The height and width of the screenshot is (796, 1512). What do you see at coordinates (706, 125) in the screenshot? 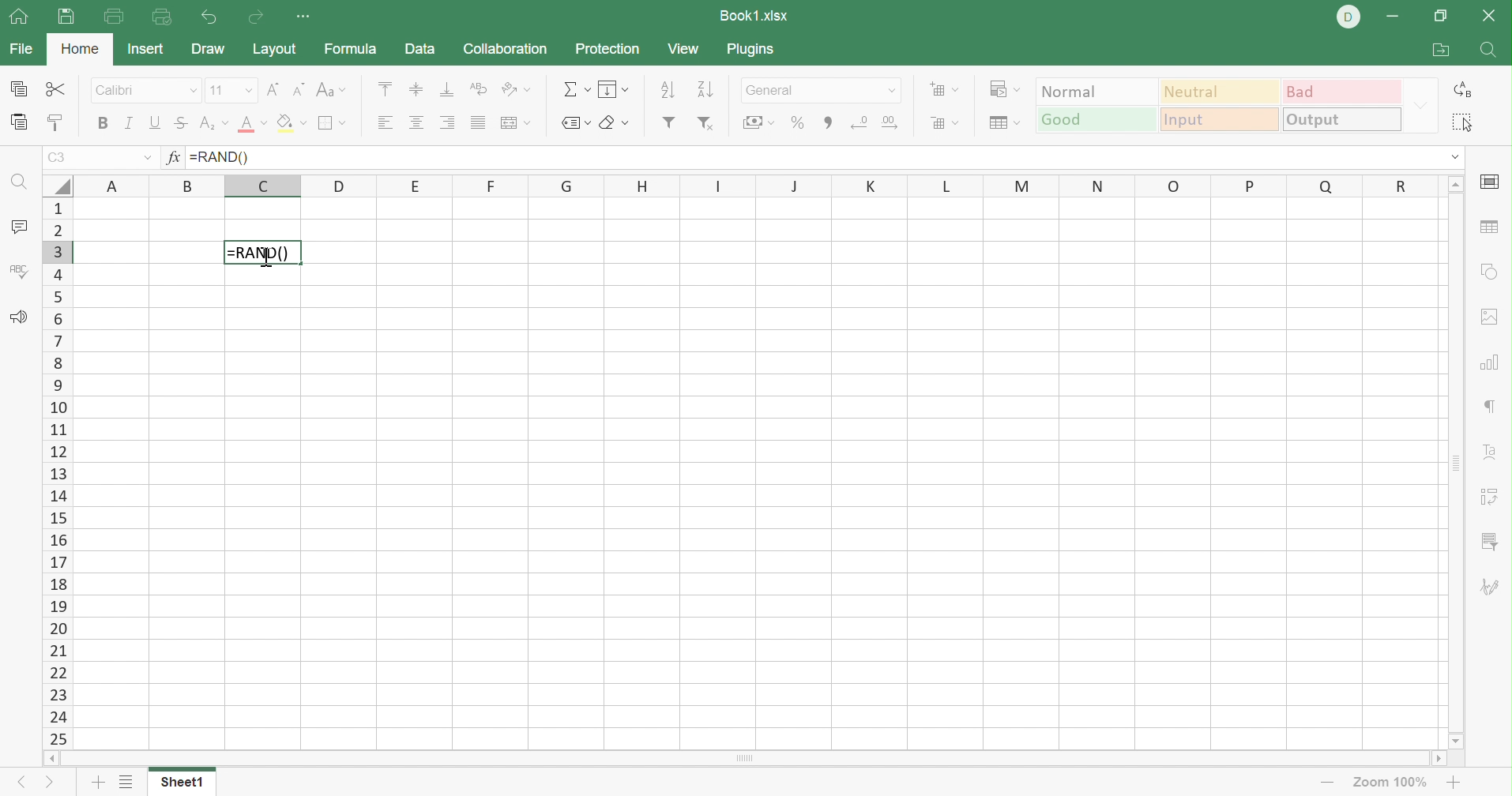
I see `Remove filter` at bounding box center [706, 125].